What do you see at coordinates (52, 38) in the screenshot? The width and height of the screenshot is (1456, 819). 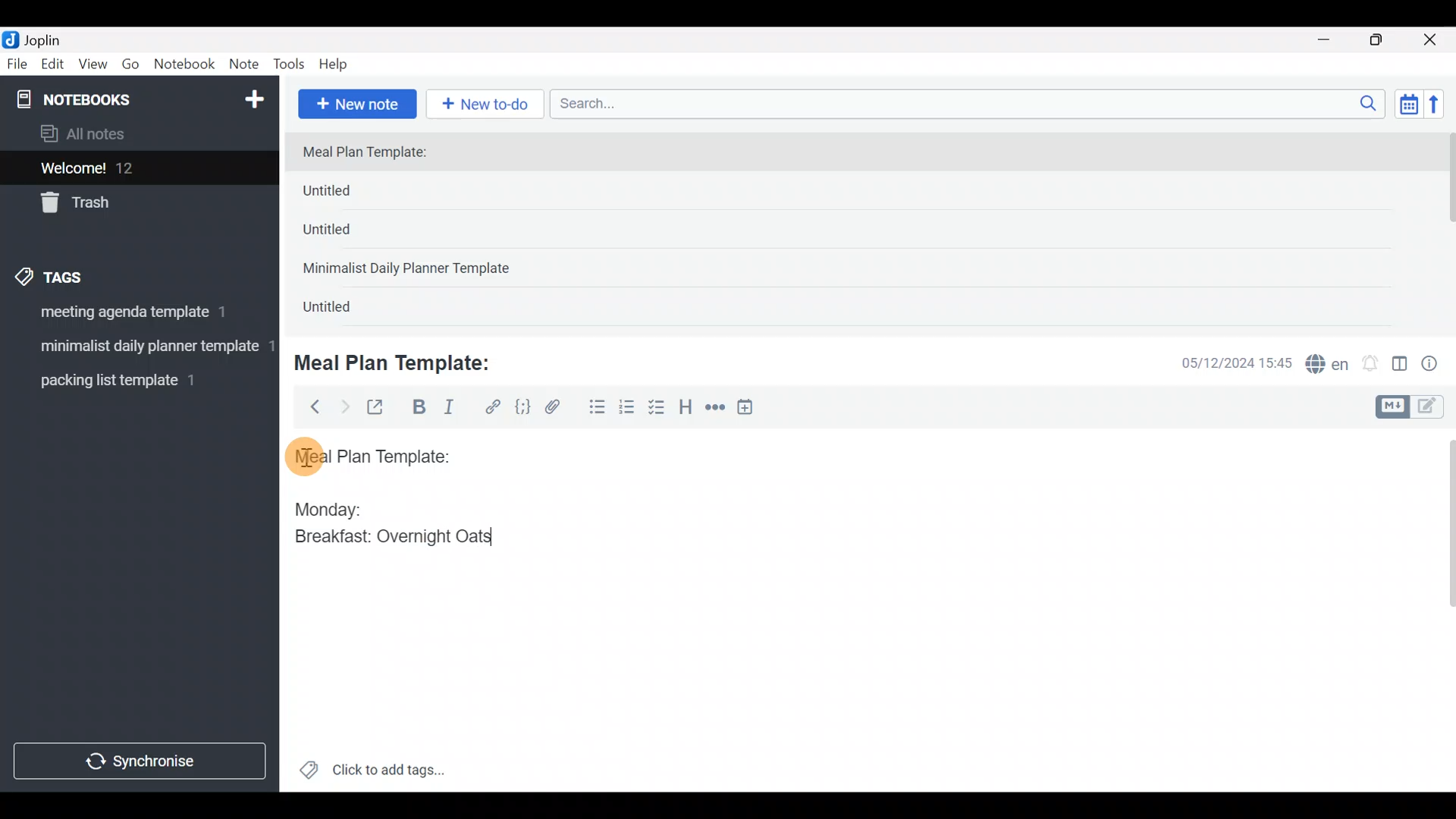 I see `Joplin` at bounding box center [52, 38].